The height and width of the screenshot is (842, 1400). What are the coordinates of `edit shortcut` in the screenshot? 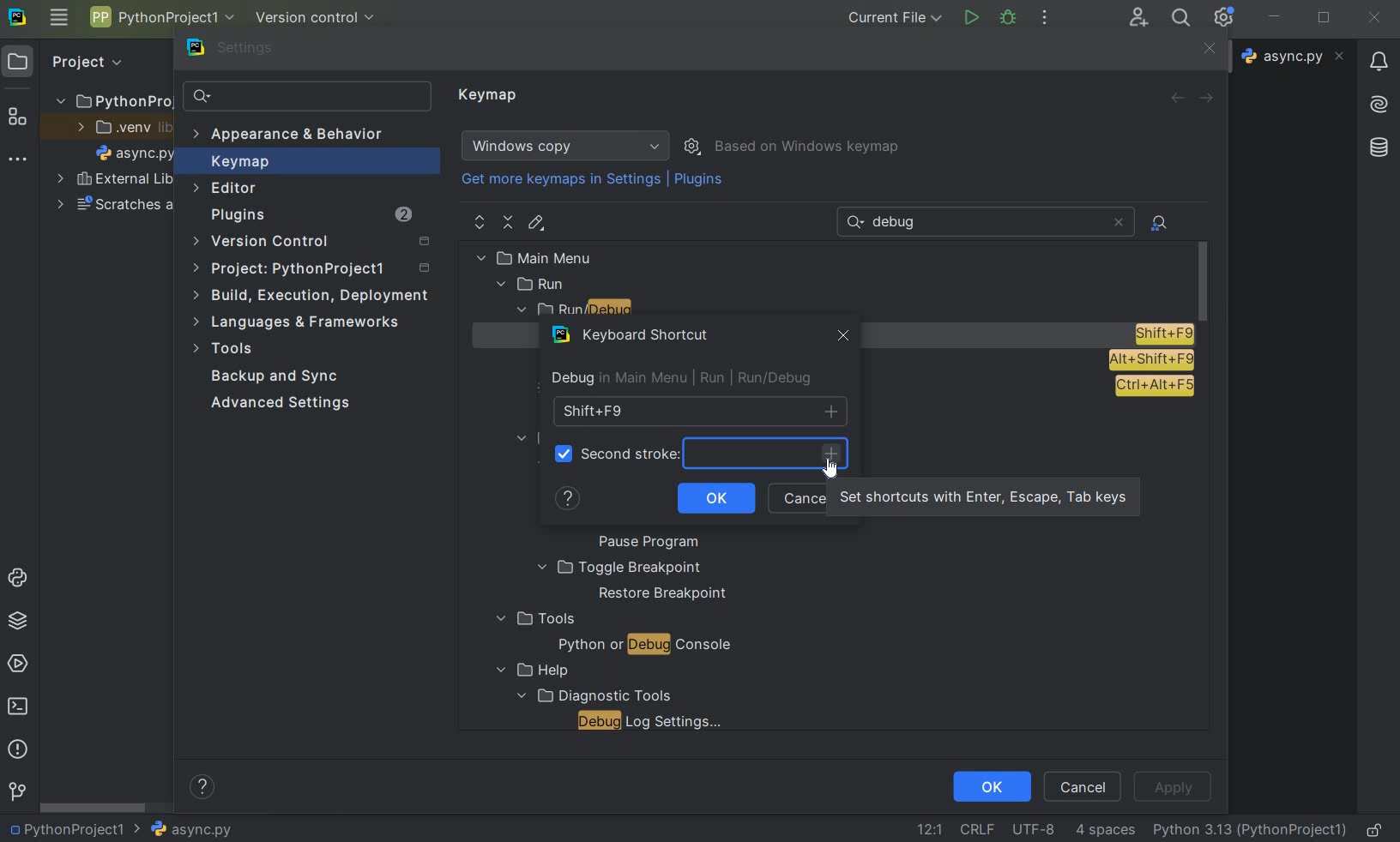 It's located at (535, 223).